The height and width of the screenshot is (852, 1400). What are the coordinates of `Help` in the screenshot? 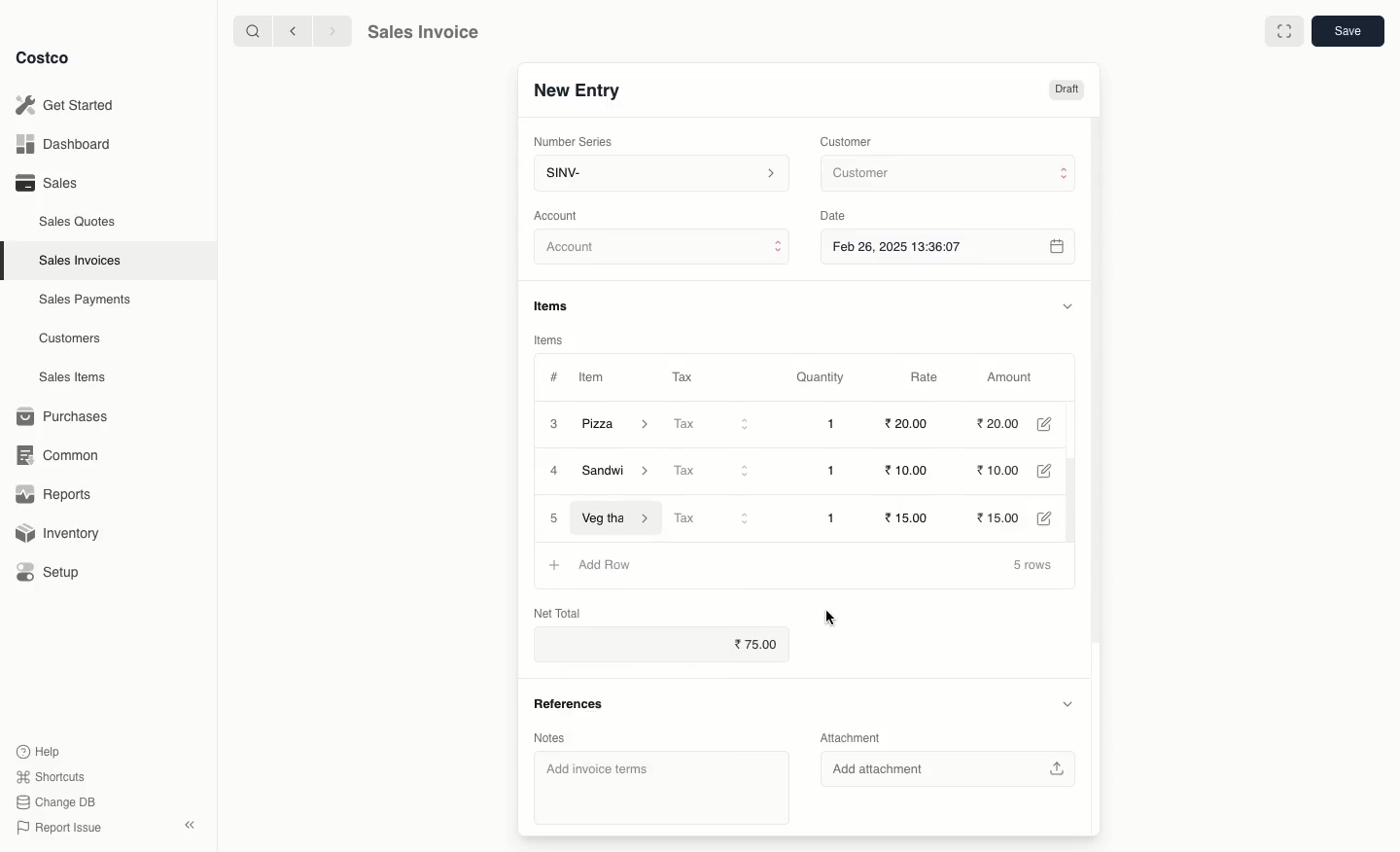 It's located at (40, 750).